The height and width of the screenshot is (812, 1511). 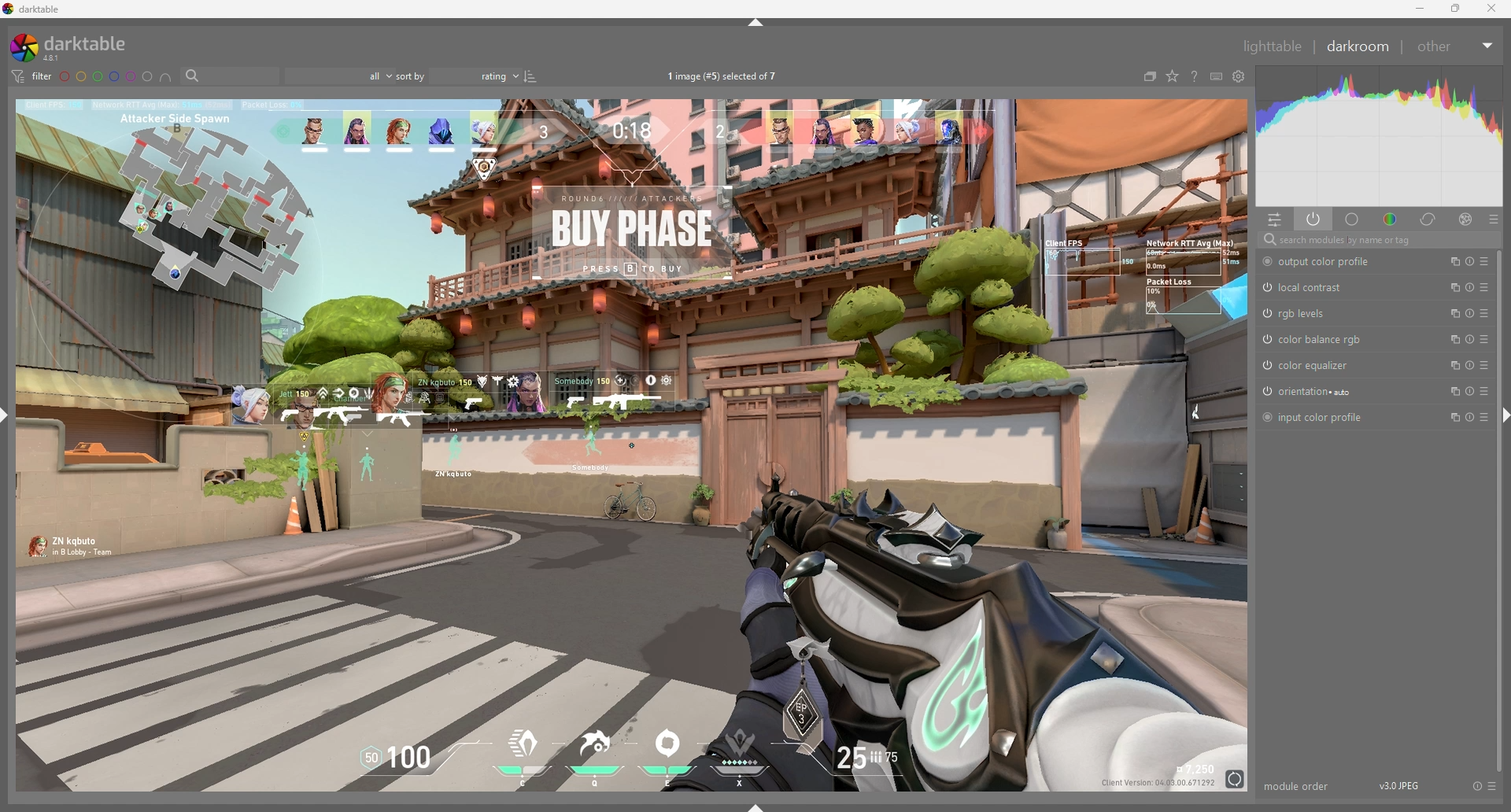 I want to click on multiple instances action, so click(x=1450, y=418).